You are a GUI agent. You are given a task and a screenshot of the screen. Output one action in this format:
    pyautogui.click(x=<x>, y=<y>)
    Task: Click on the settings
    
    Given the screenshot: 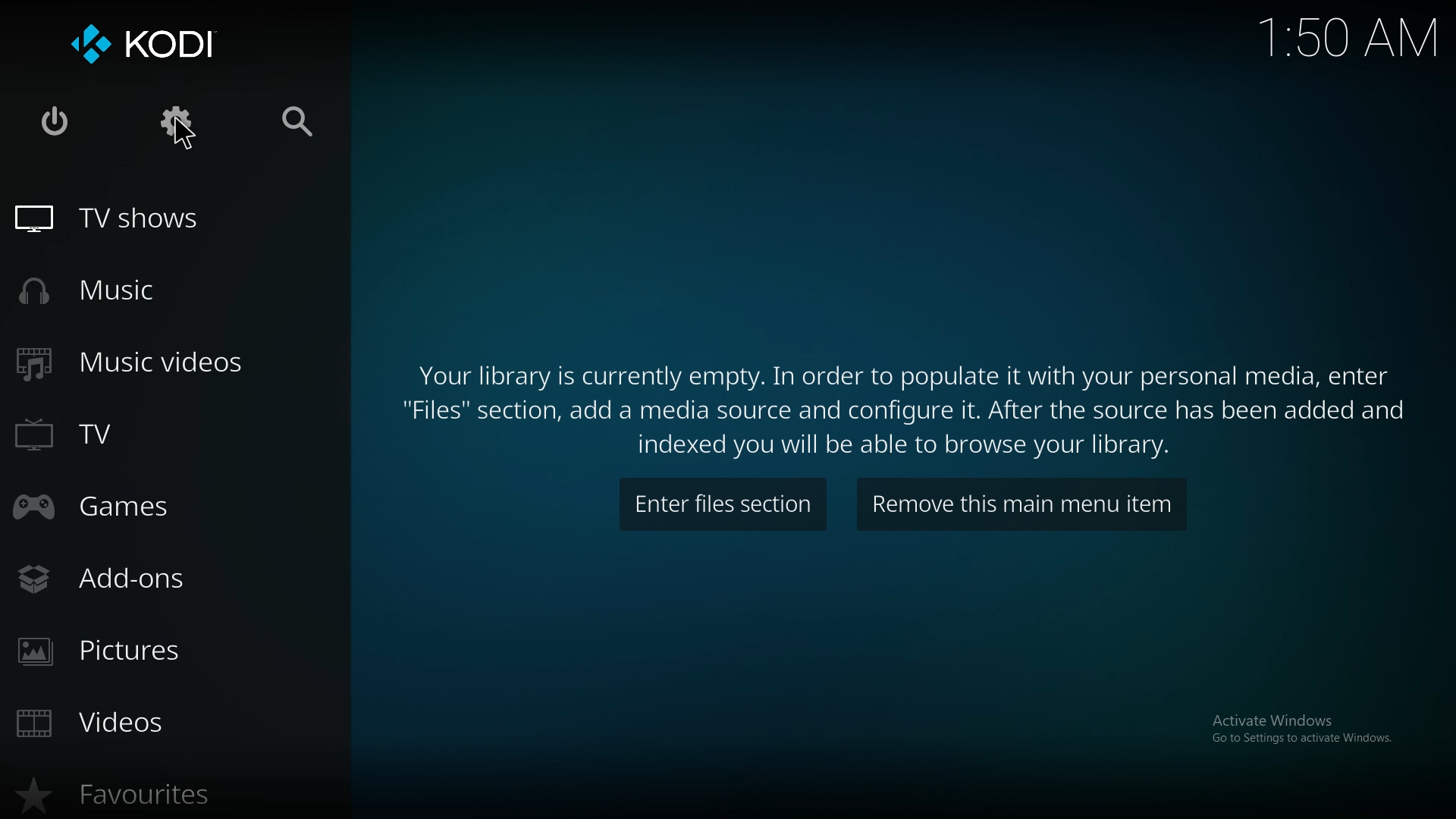 What is the action you would take?
    pyautogui.click(x=178, y=121)
    